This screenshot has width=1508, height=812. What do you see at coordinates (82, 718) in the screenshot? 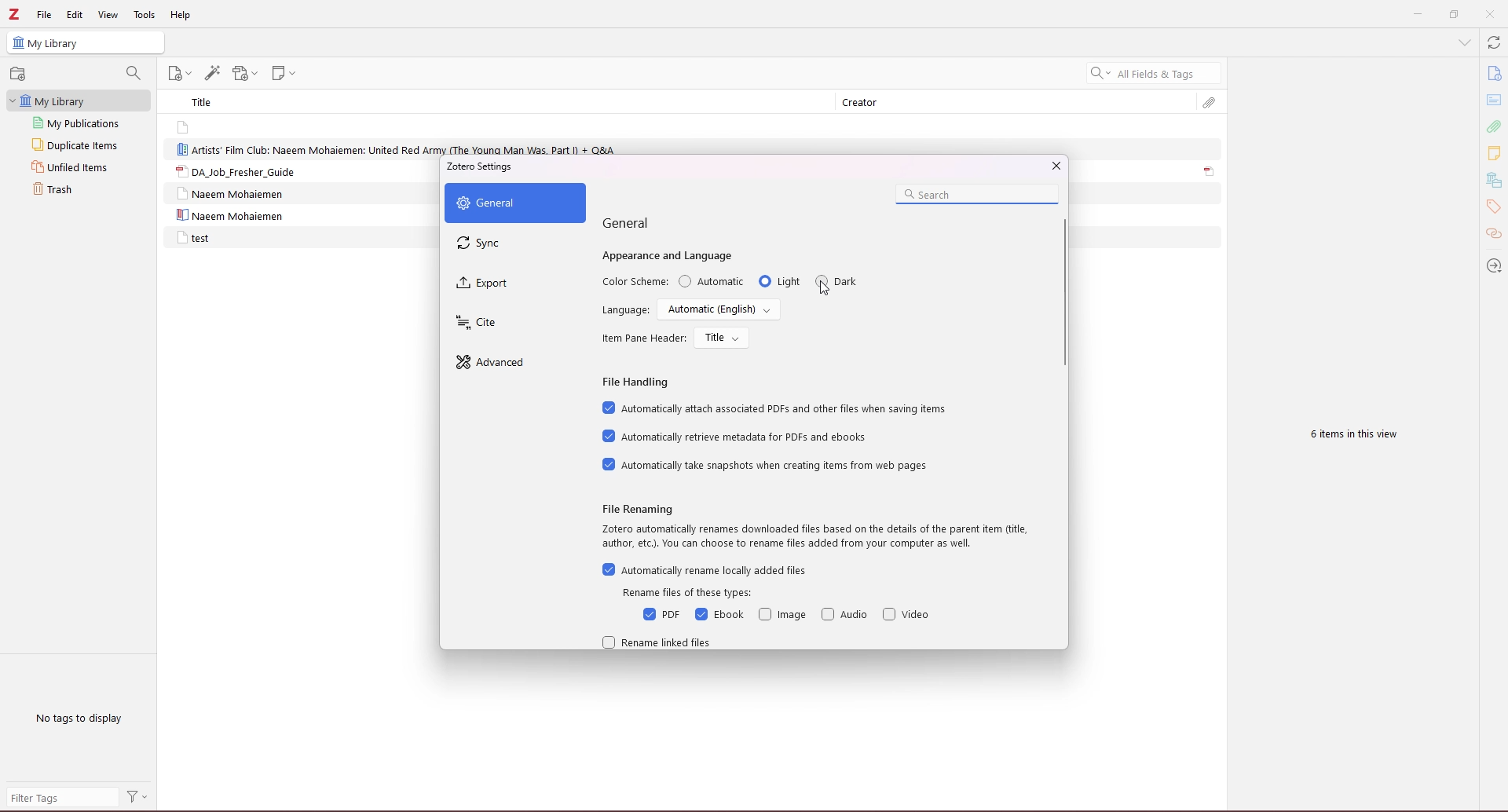
I see `No tags to display` at bounding box center [82, 718].